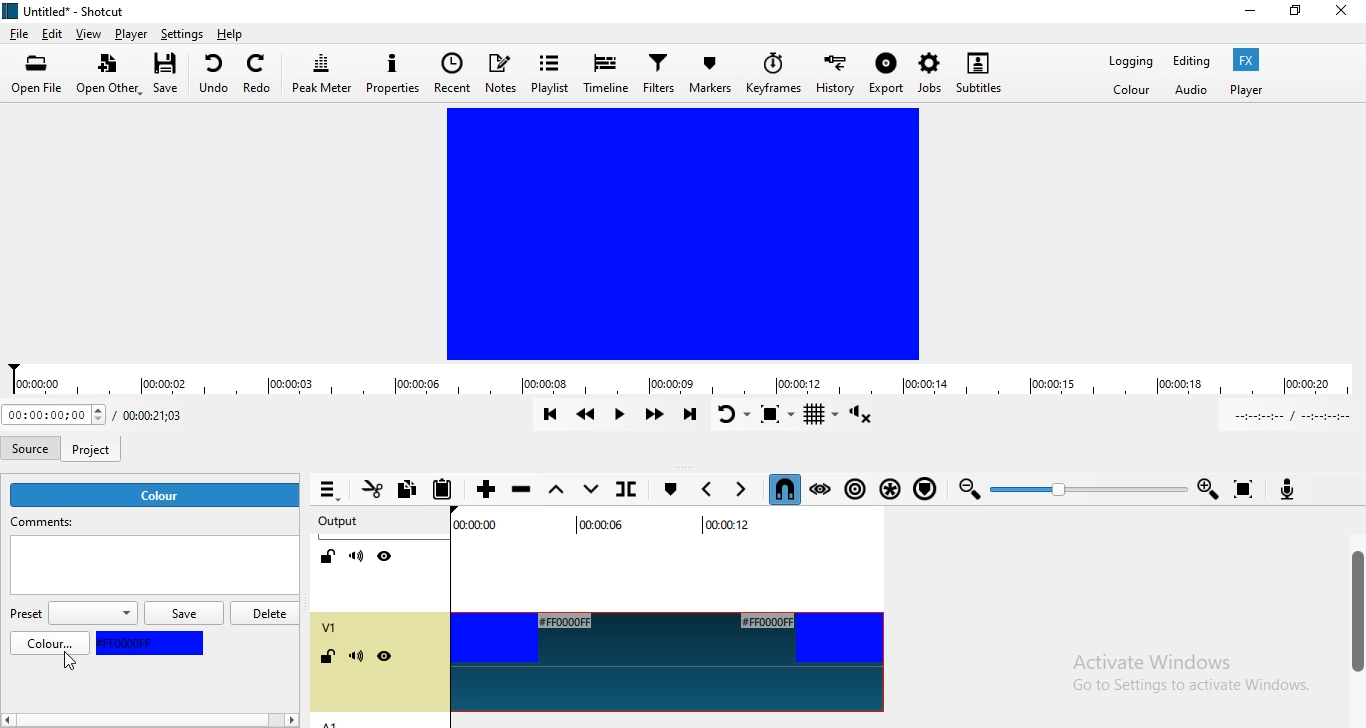 The height and width of the screenshot is (728, 1366). Describe the element at coordinates (18, 34) in the screenshot. I see `File` at that location.